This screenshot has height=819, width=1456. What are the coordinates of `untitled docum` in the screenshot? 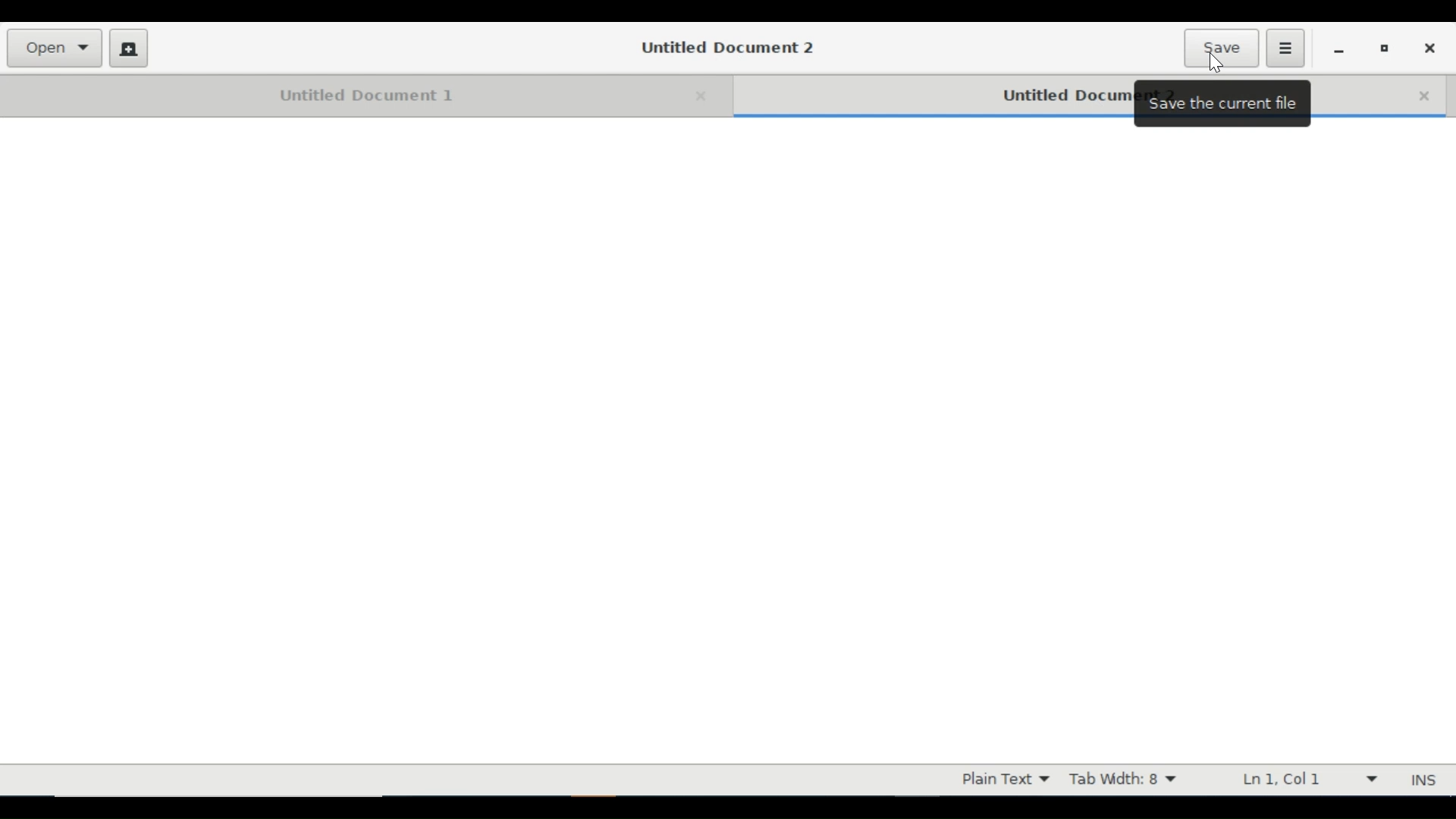 It's located at (1062, 97).